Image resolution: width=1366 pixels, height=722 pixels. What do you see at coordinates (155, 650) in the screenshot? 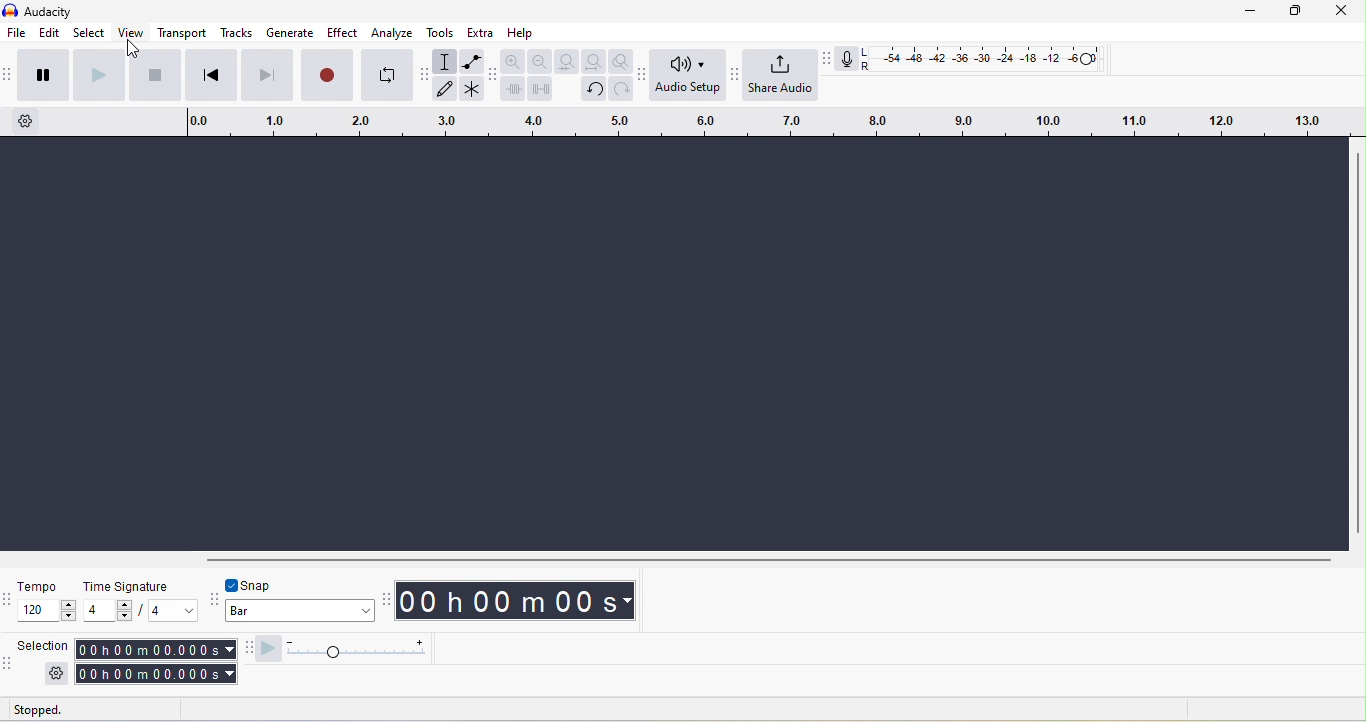
I see `selection start time` at bounding box center [155, 650].